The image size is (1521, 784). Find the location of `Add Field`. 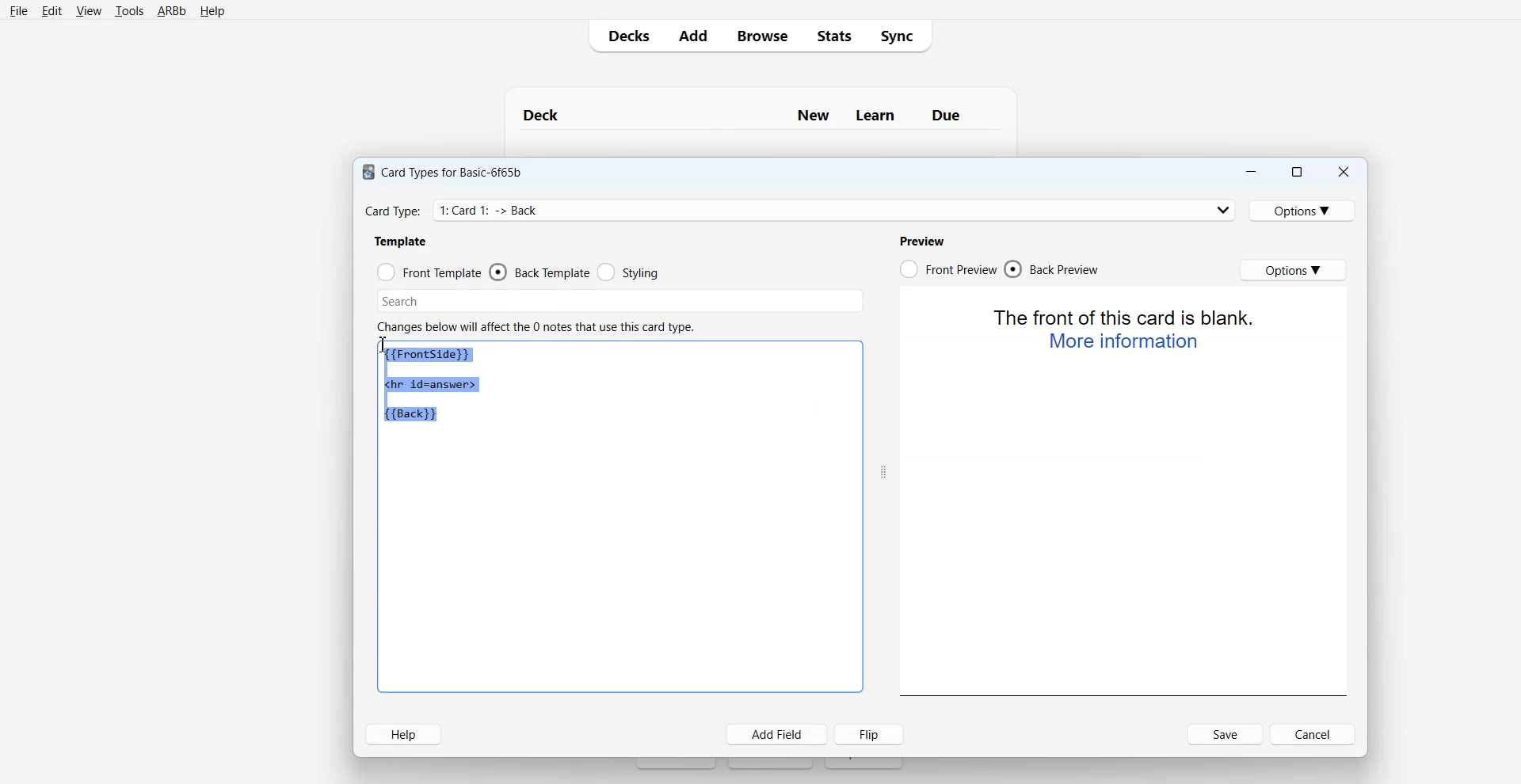

Add Field is located at coordinates (777, 734).